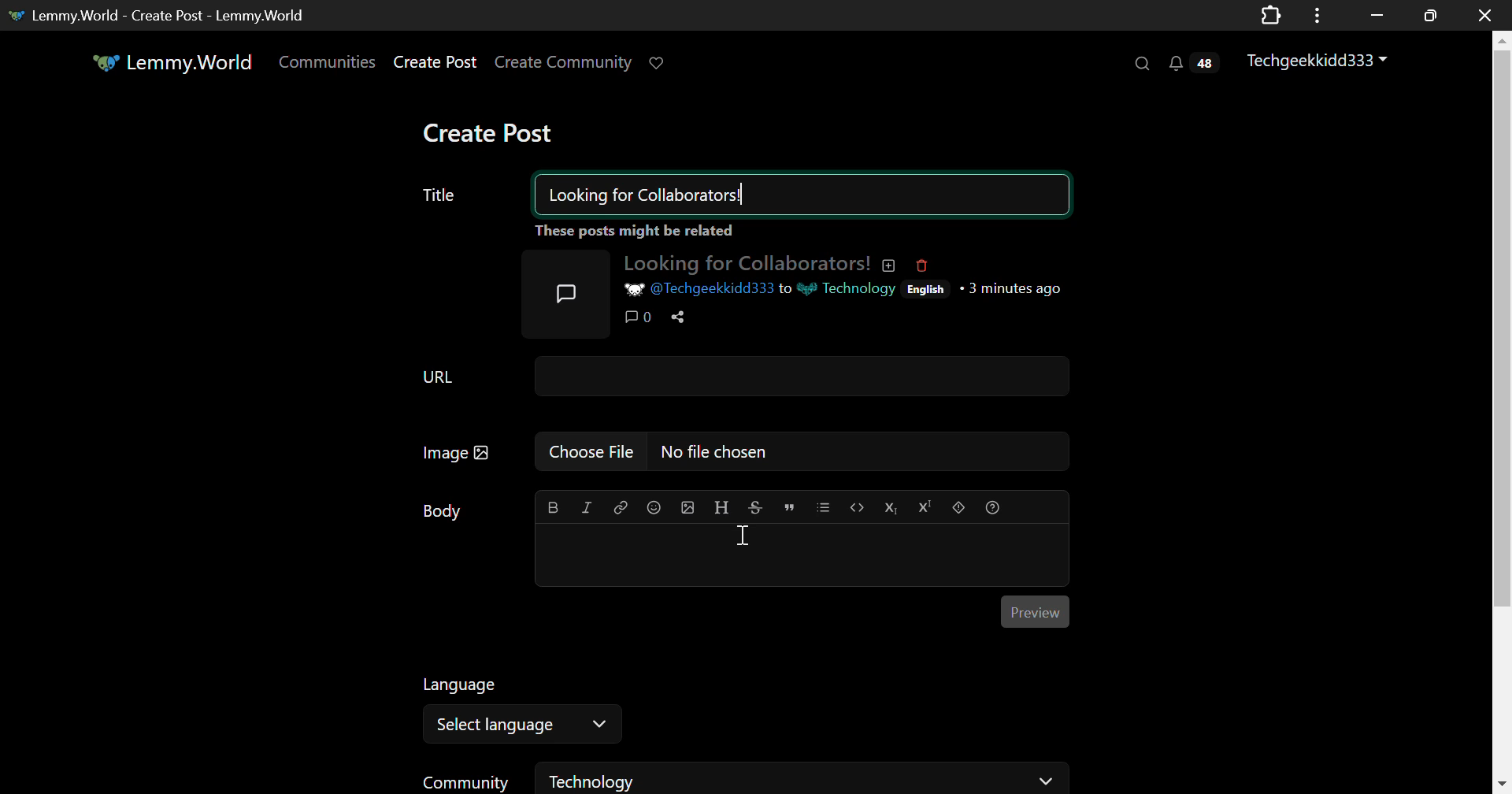 This screenshot has height=794, width=1512. What do you see at coordinates (491, 132) in the screenshot?
I see `Create Post ` at bounding box center [491, 132].